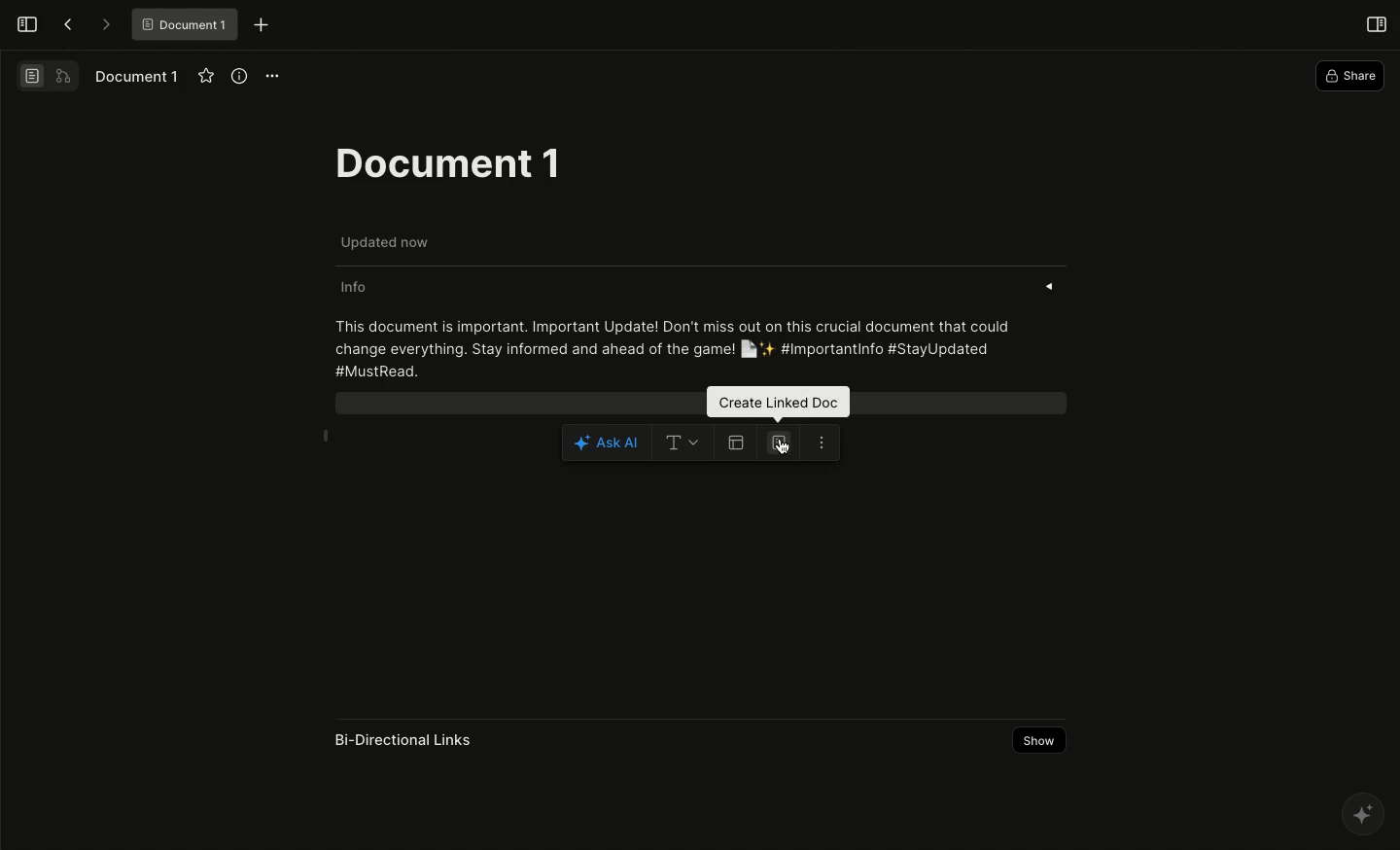 Image resolution: width=1400 pixels, height=850 pixels. I want to click on More options, so click(822, 443).